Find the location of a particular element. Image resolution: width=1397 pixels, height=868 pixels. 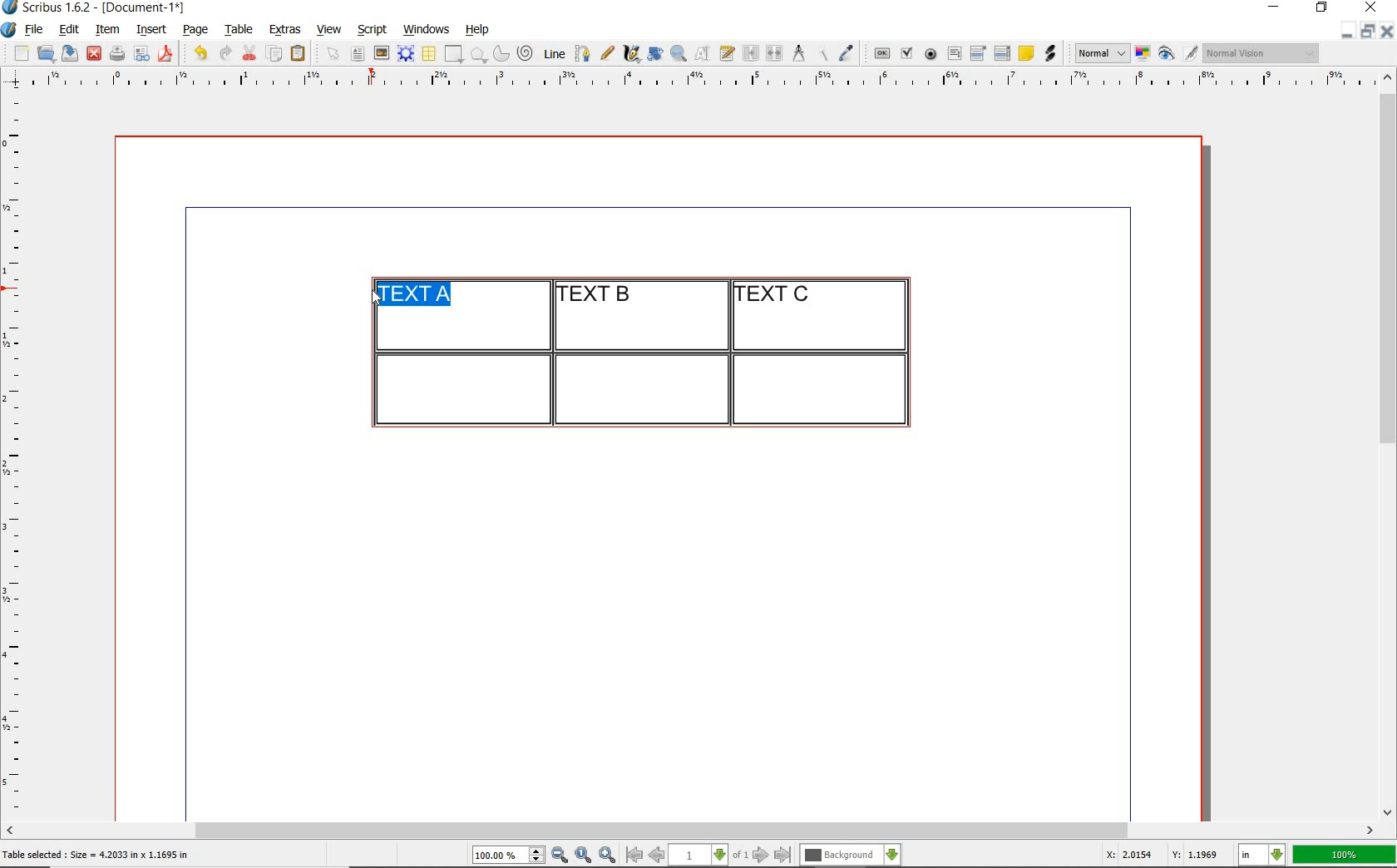

arc is located at coordinates (501, 53).